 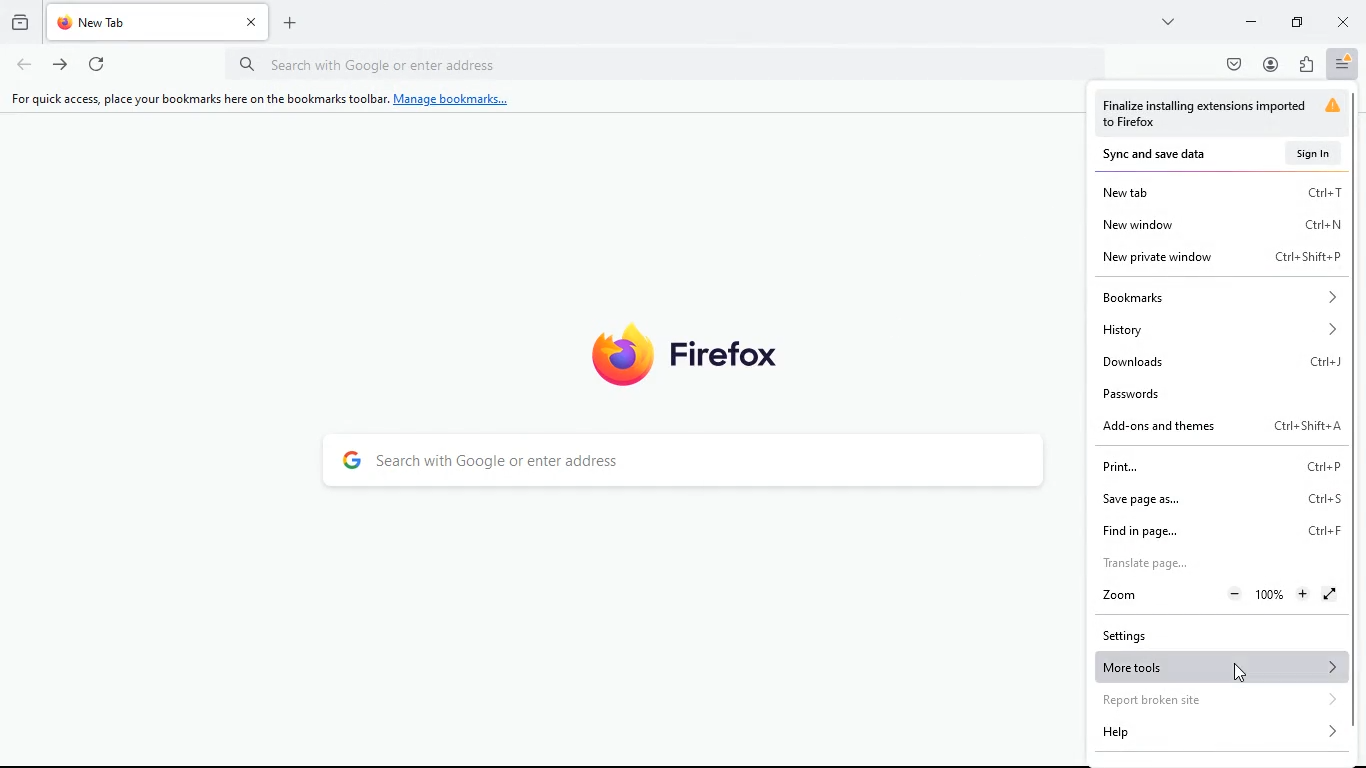 I want to click on forward, so click(x=62, y=67).